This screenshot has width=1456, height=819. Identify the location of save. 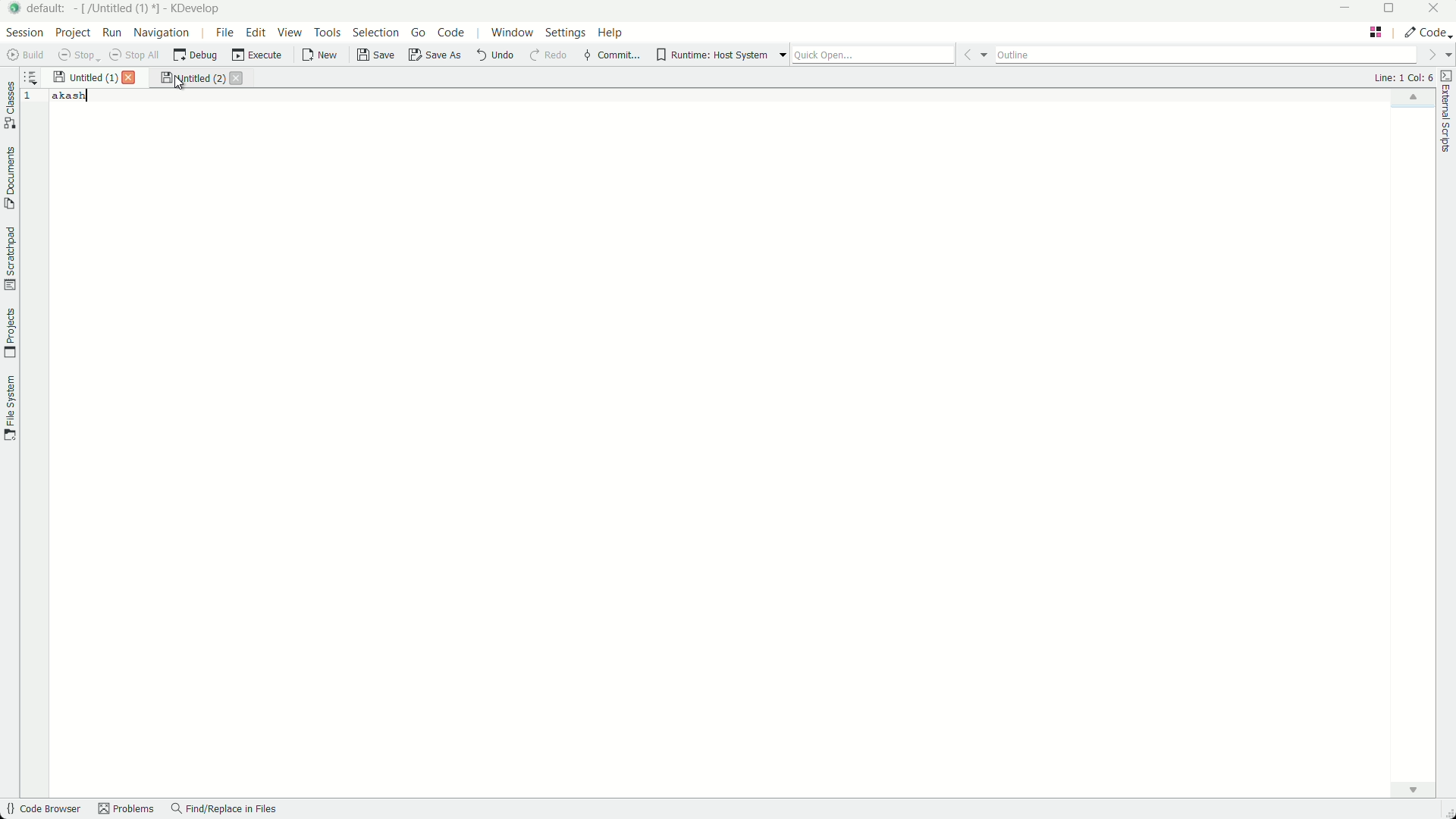
(372, 57).